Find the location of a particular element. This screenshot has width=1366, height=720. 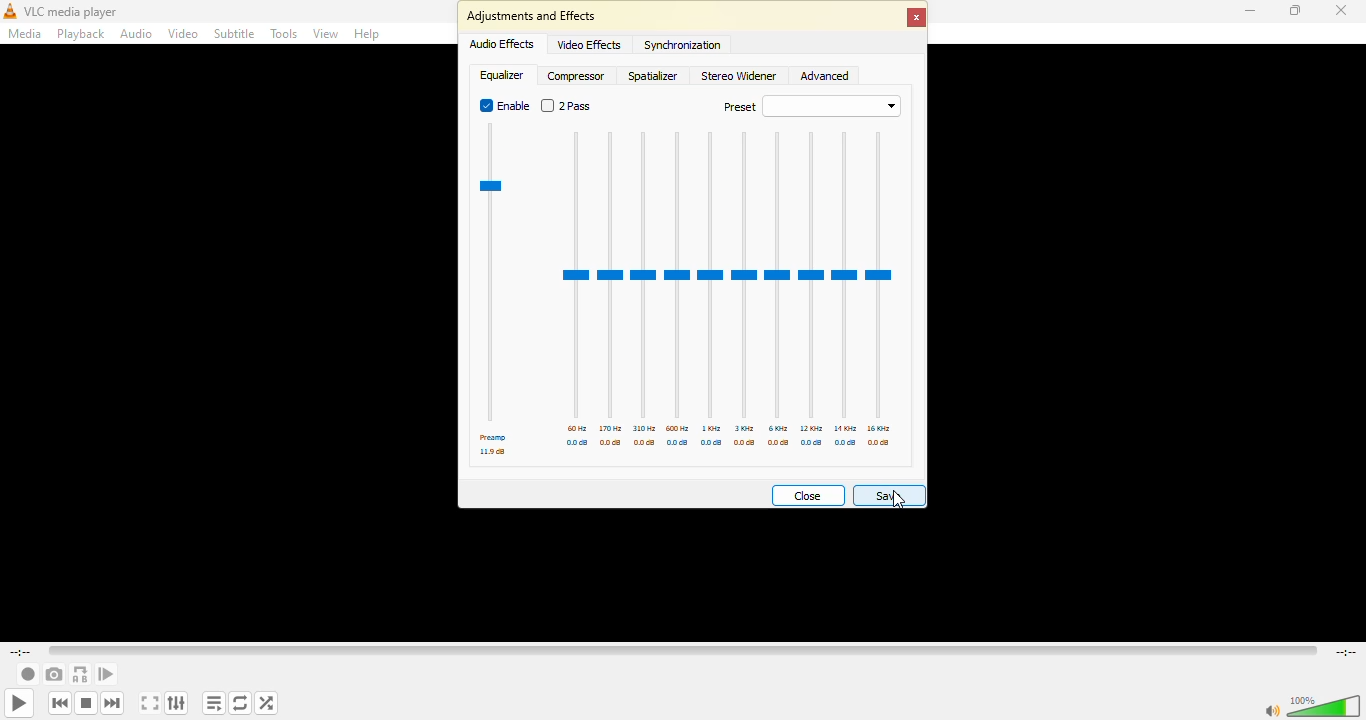

vlc media player is located at coordinates (61, 12).